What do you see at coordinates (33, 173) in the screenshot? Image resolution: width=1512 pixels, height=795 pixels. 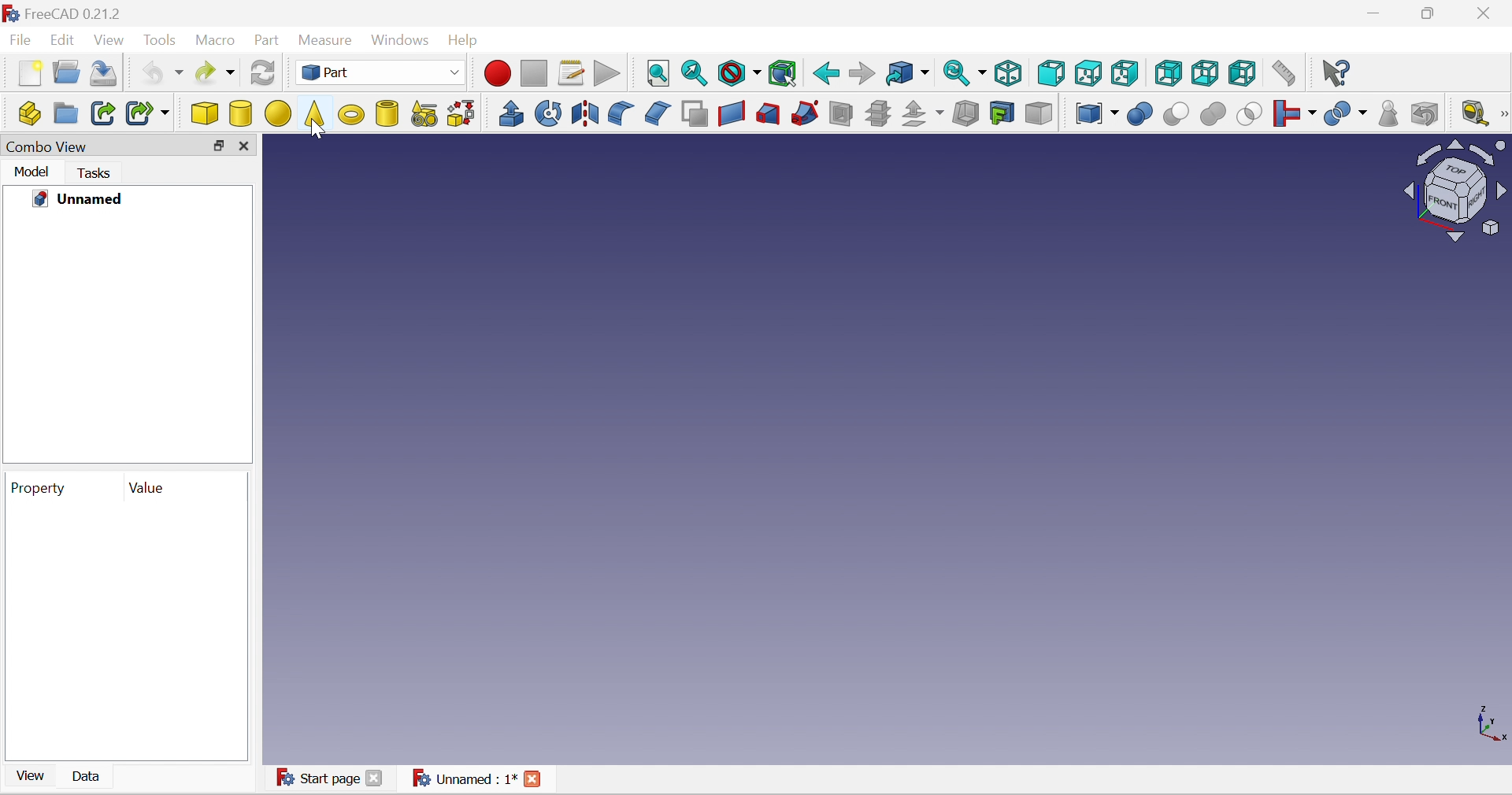 I see `Model` at bounding box center [33, 173].